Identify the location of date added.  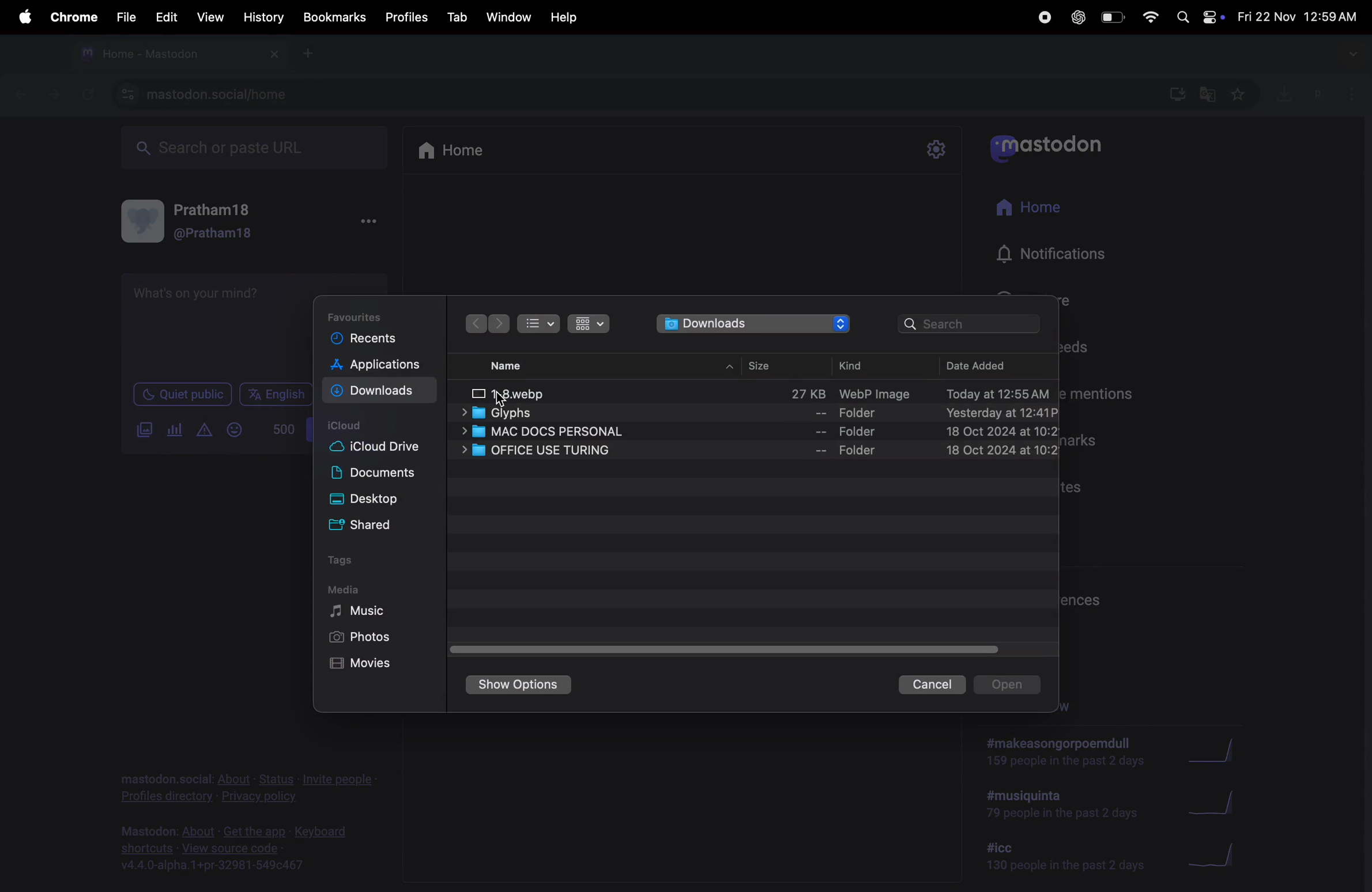
(982, 365).